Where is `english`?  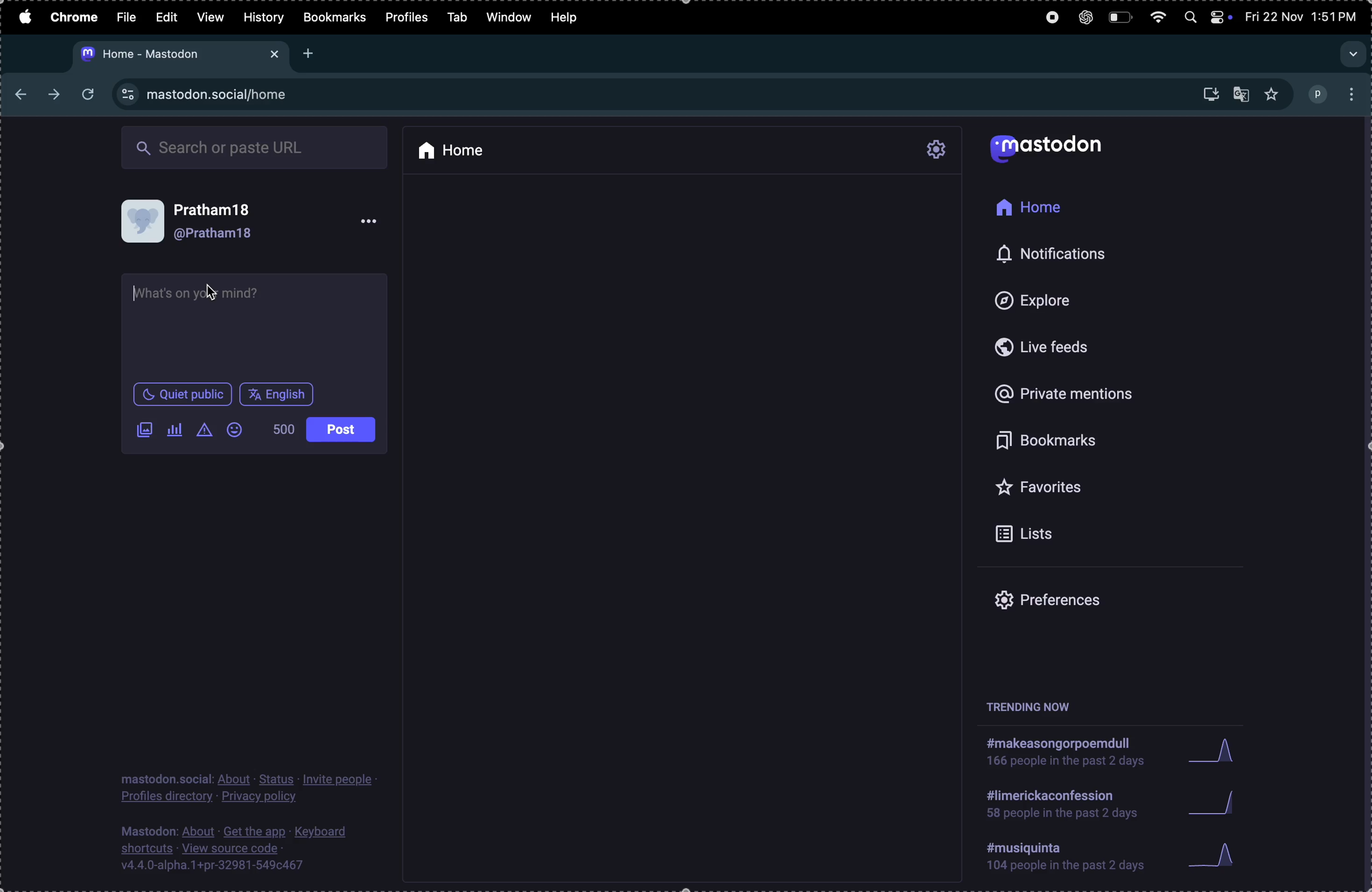
english is located at coordinates (279, 394).